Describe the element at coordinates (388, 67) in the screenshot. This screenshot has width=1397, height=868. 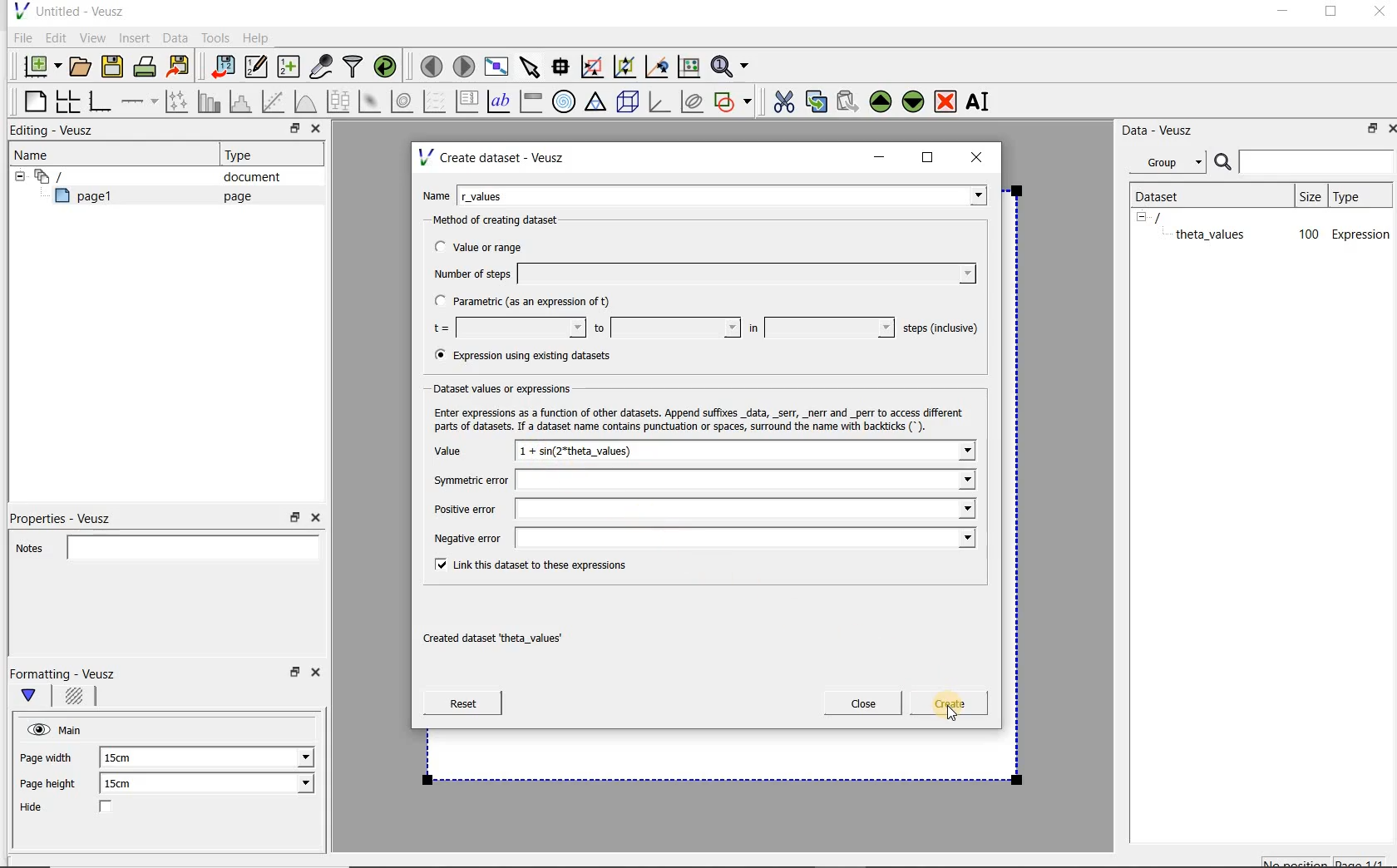
I see `reload linked datasets` at that location.